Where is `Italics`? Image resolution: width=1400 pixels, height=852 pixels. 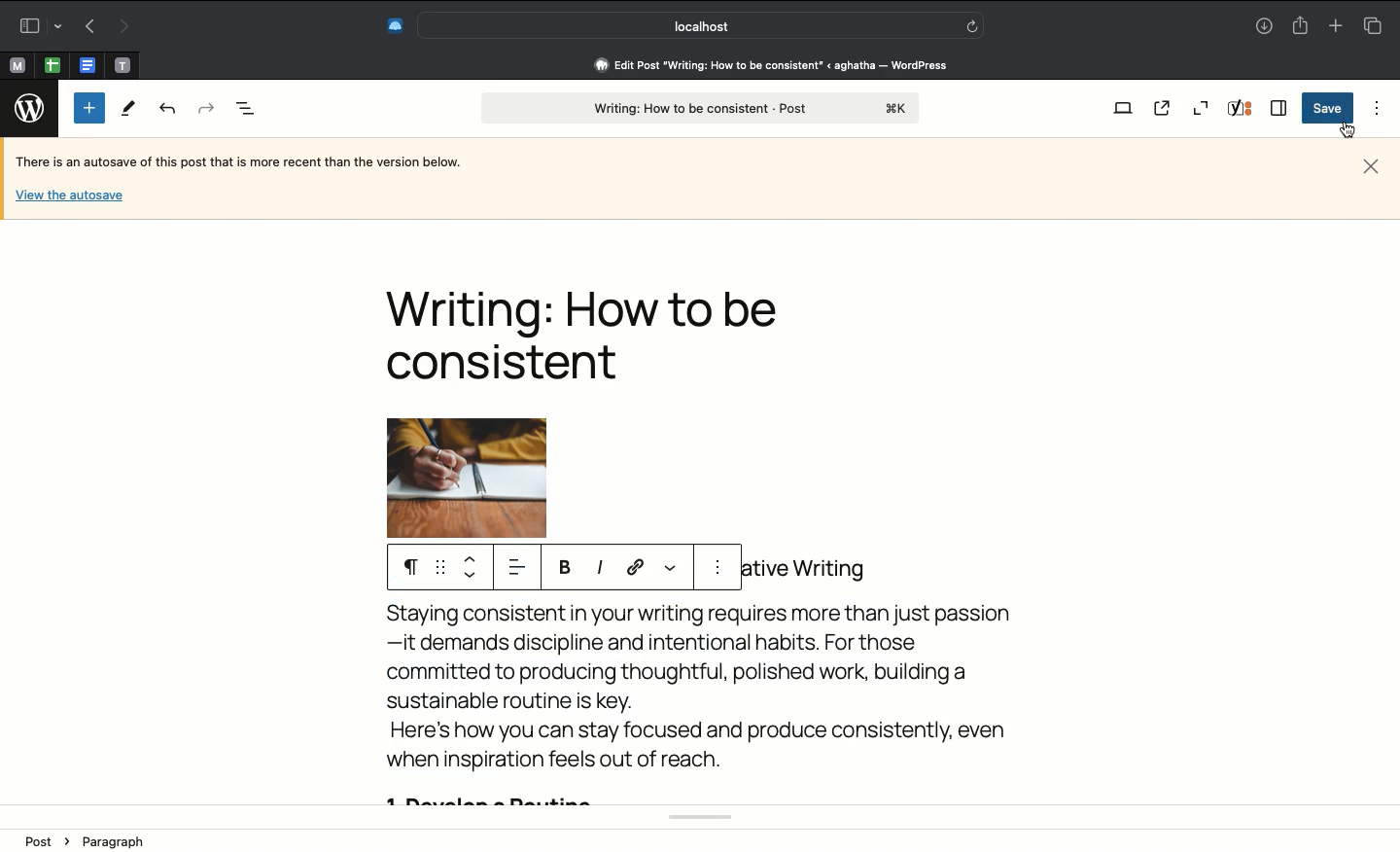 Italics is located at coordinates (600, 568).